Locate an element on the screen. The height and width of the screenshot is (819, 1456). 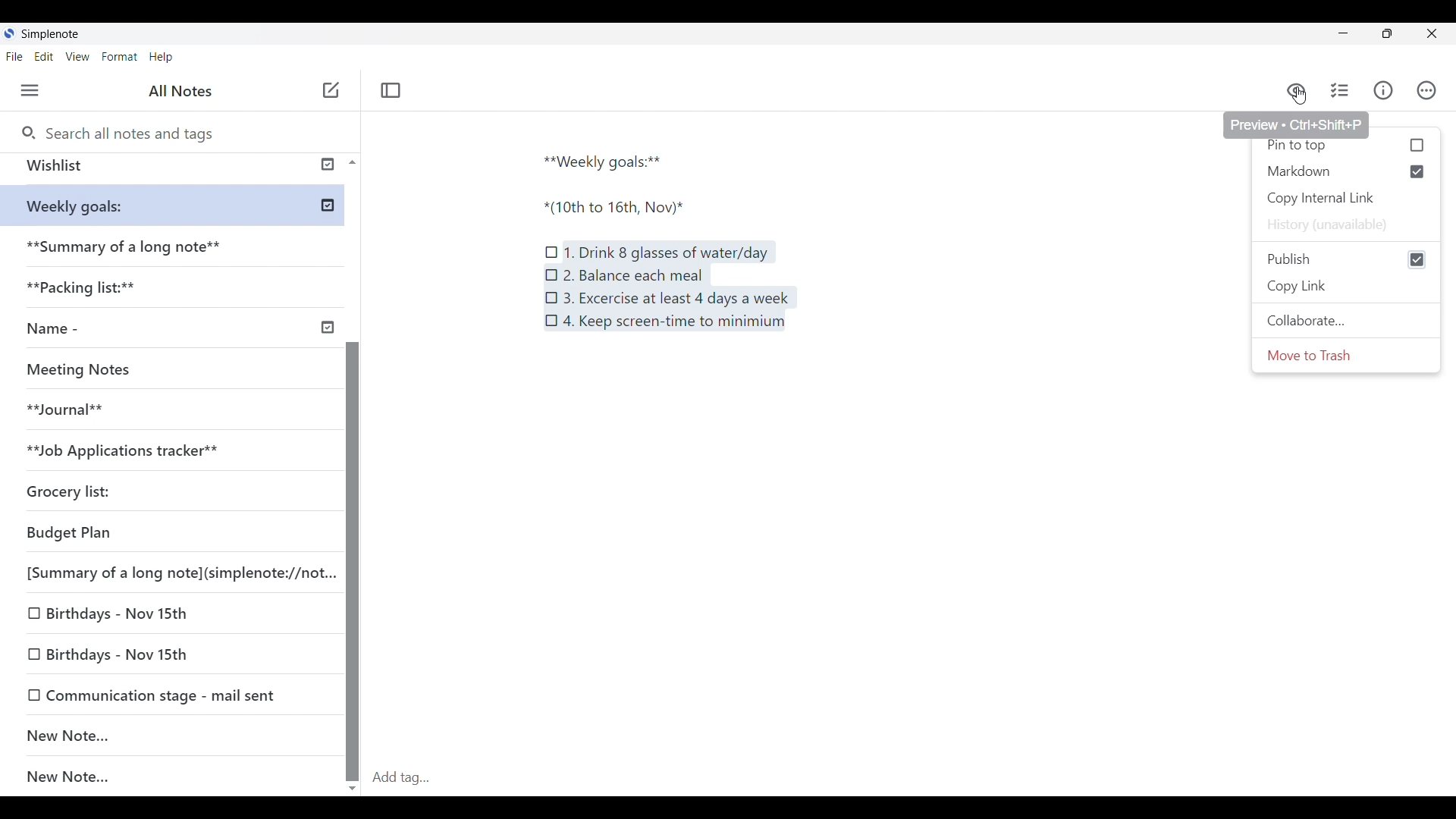
Meeting Notes is located at coordinates (85, 367).